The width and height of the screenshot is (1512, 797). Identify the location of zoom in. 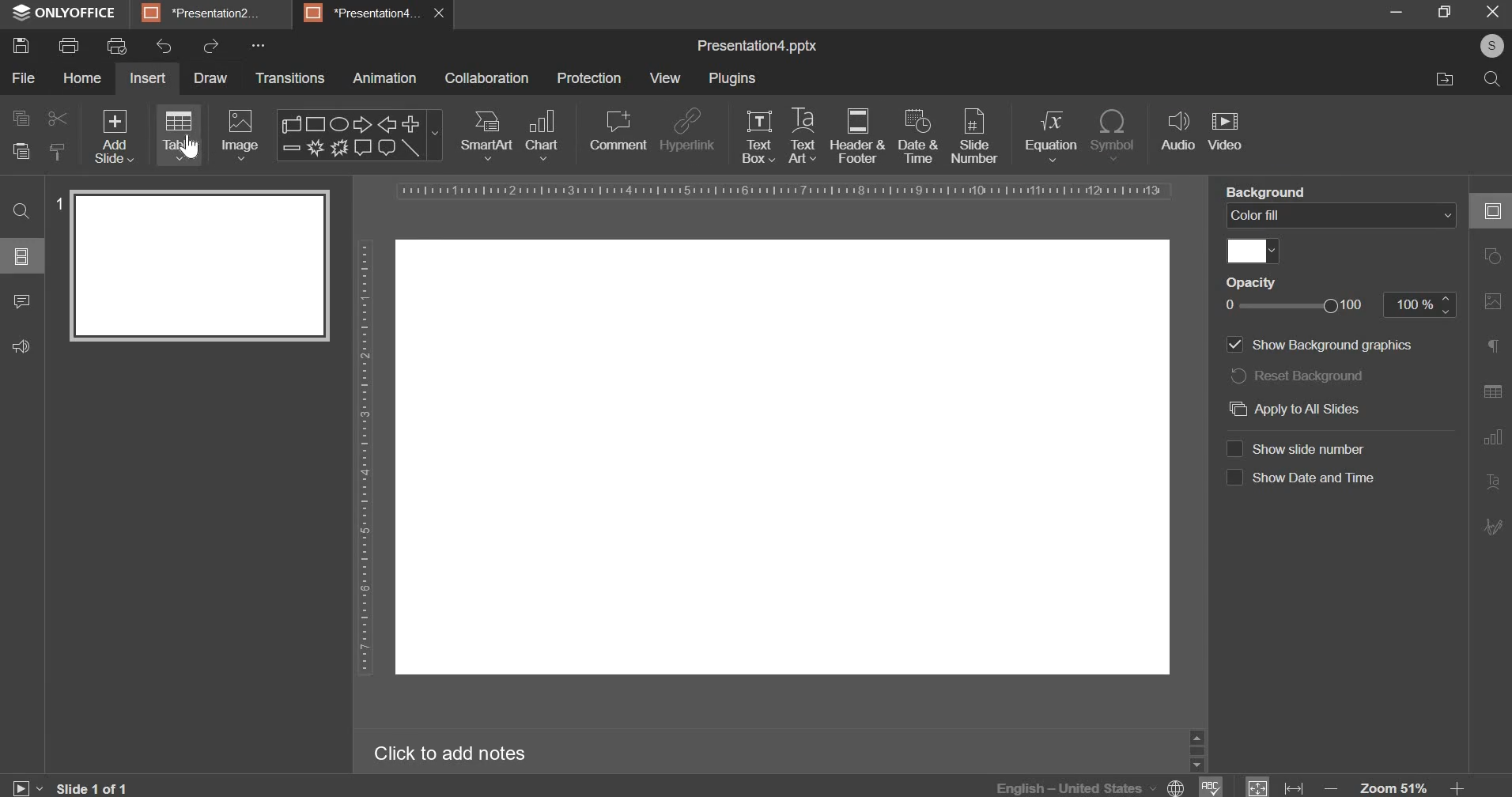
(1464, 788).